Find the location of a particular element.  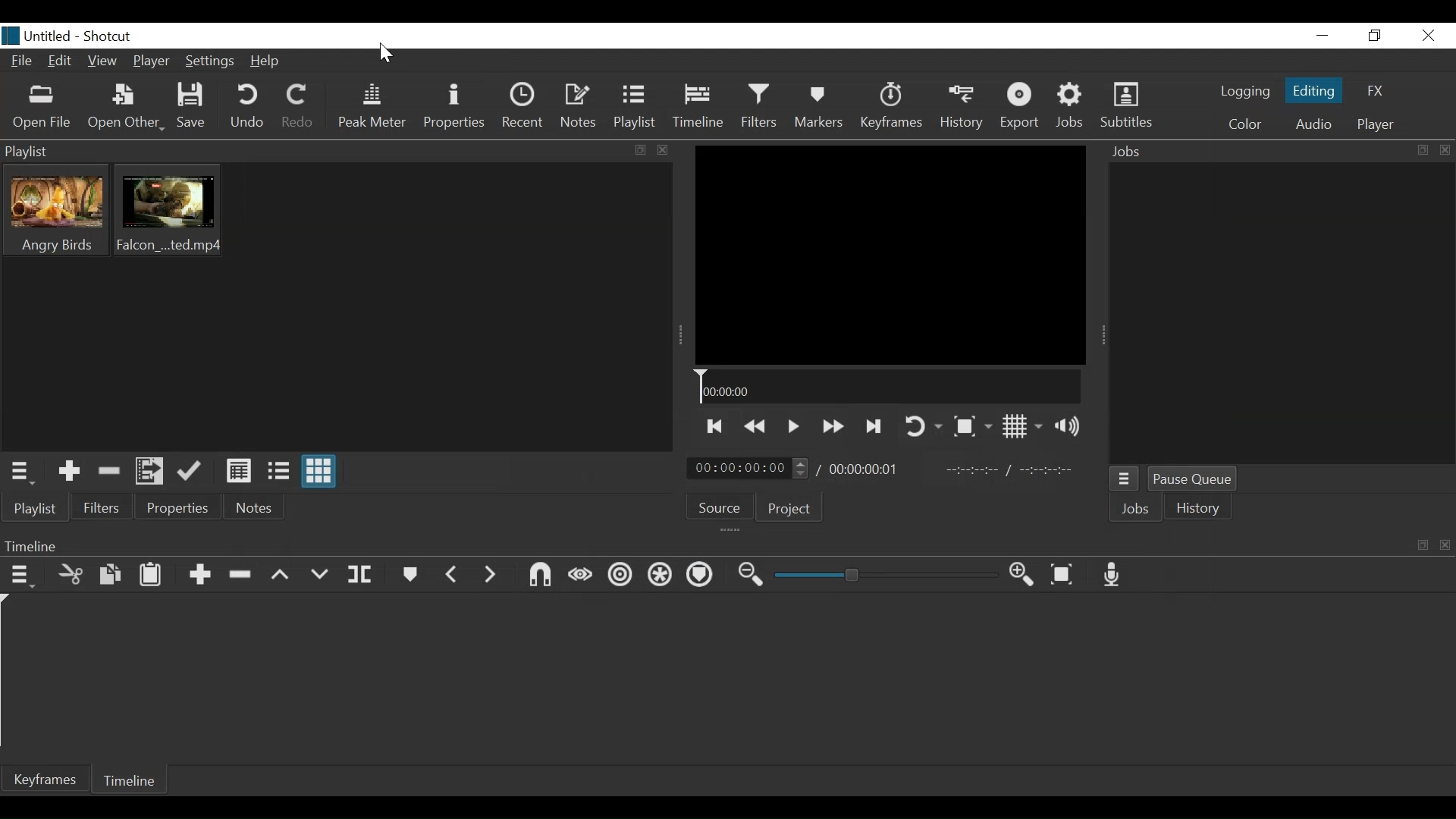

Filters is located at coordinates (102, 507).